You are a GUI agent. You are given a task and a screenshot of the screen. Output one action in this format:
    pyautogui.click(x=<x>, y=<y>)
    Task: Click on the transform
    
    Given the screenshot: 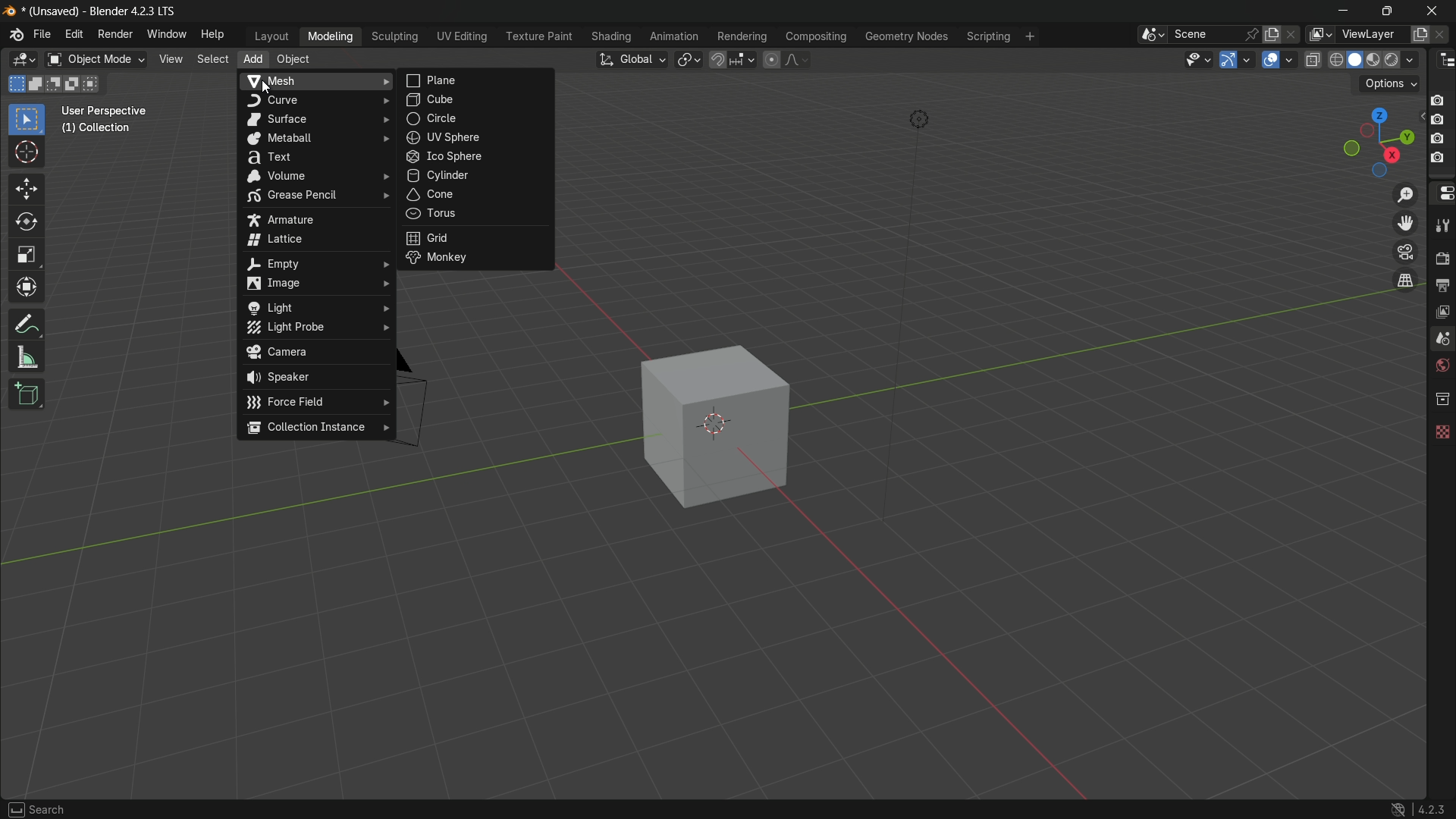 What is the action you would take?
    pyautogui.click(x=27, y=287)
    